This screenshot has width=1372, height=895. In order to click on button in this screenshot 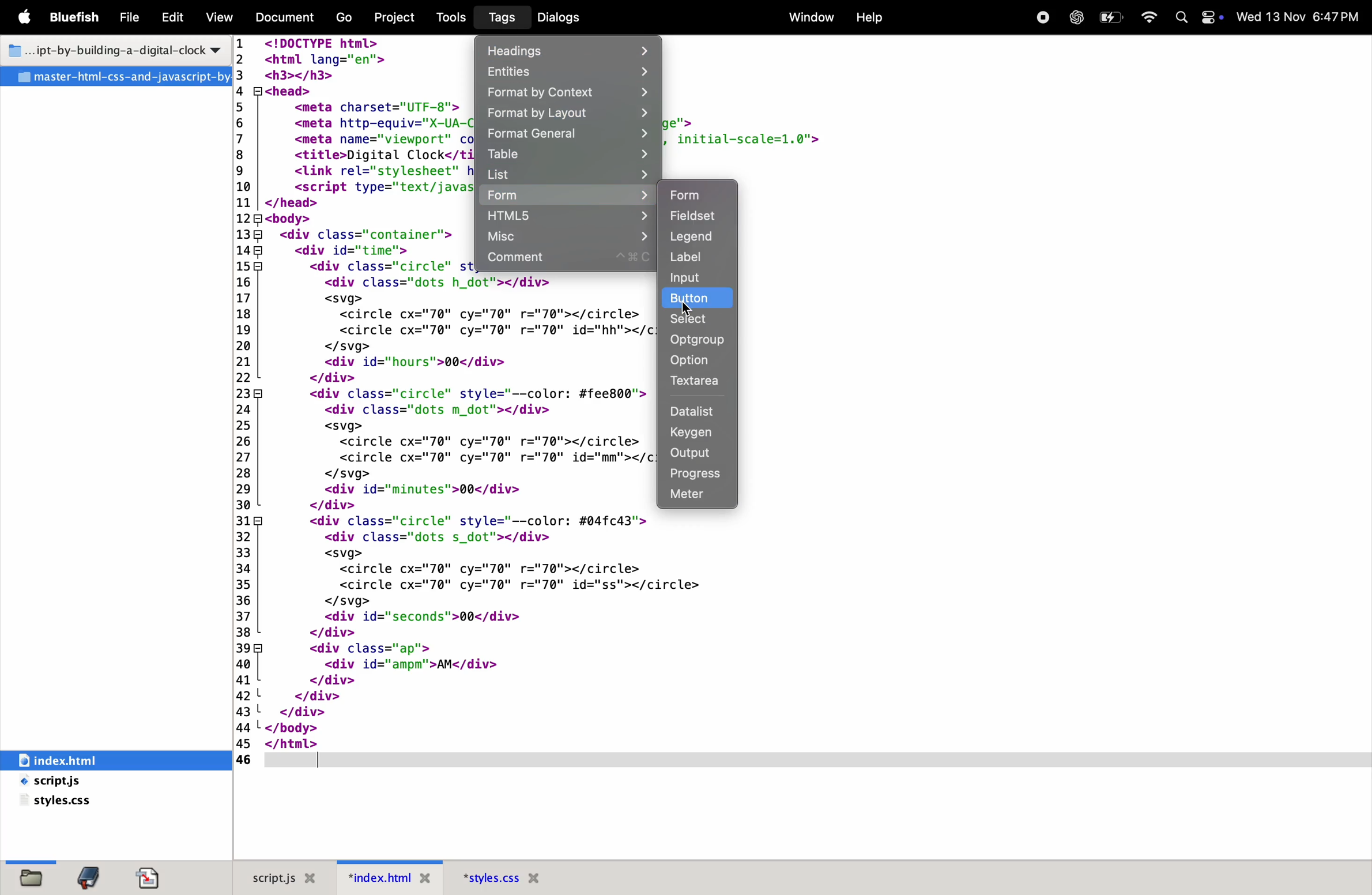, I will do `click(696, 298)`.